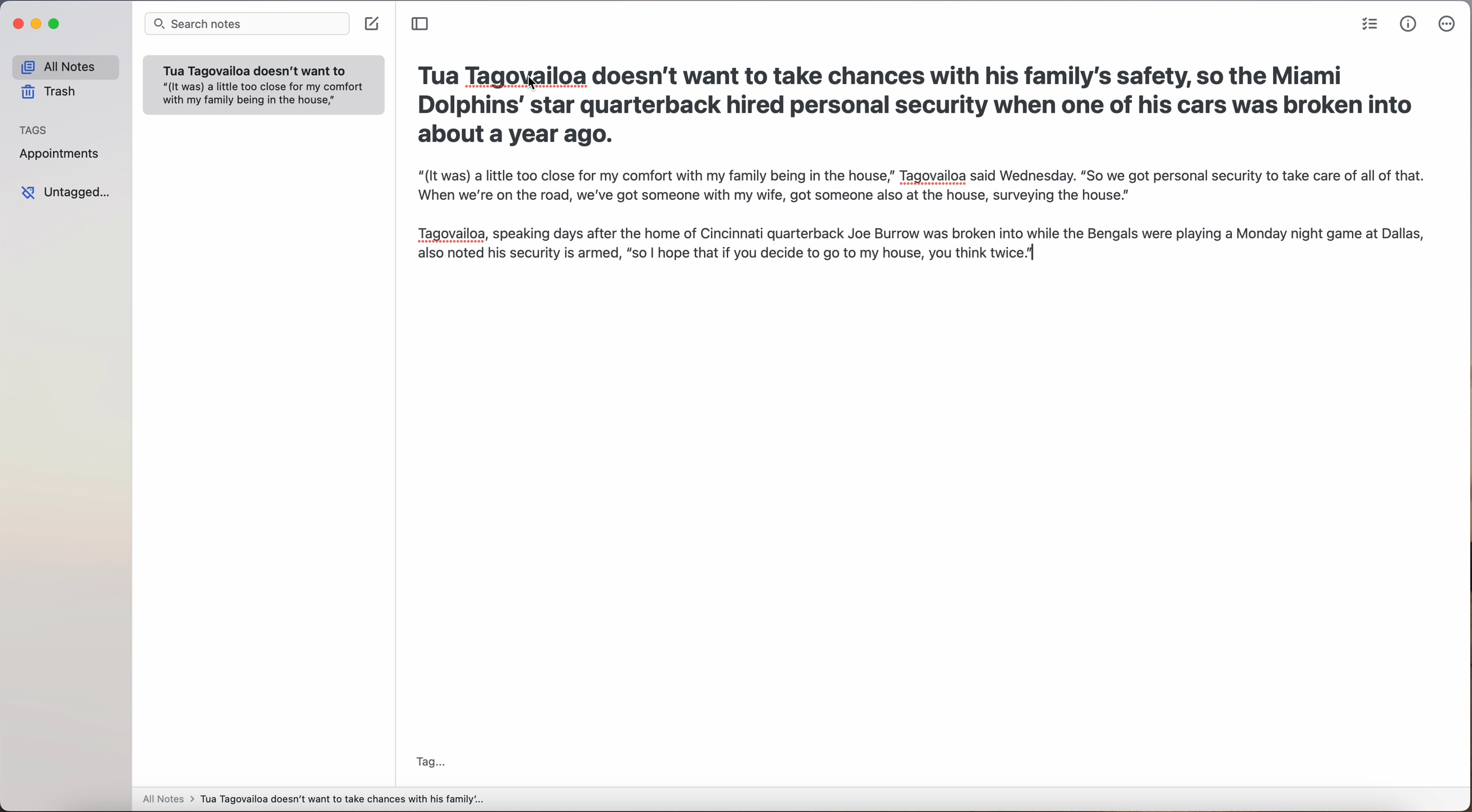 The image size is (1472, 812). I want to click on all notes > Tua Tagovailoa doesn't want to take chances with his family..., so click(314, 799).